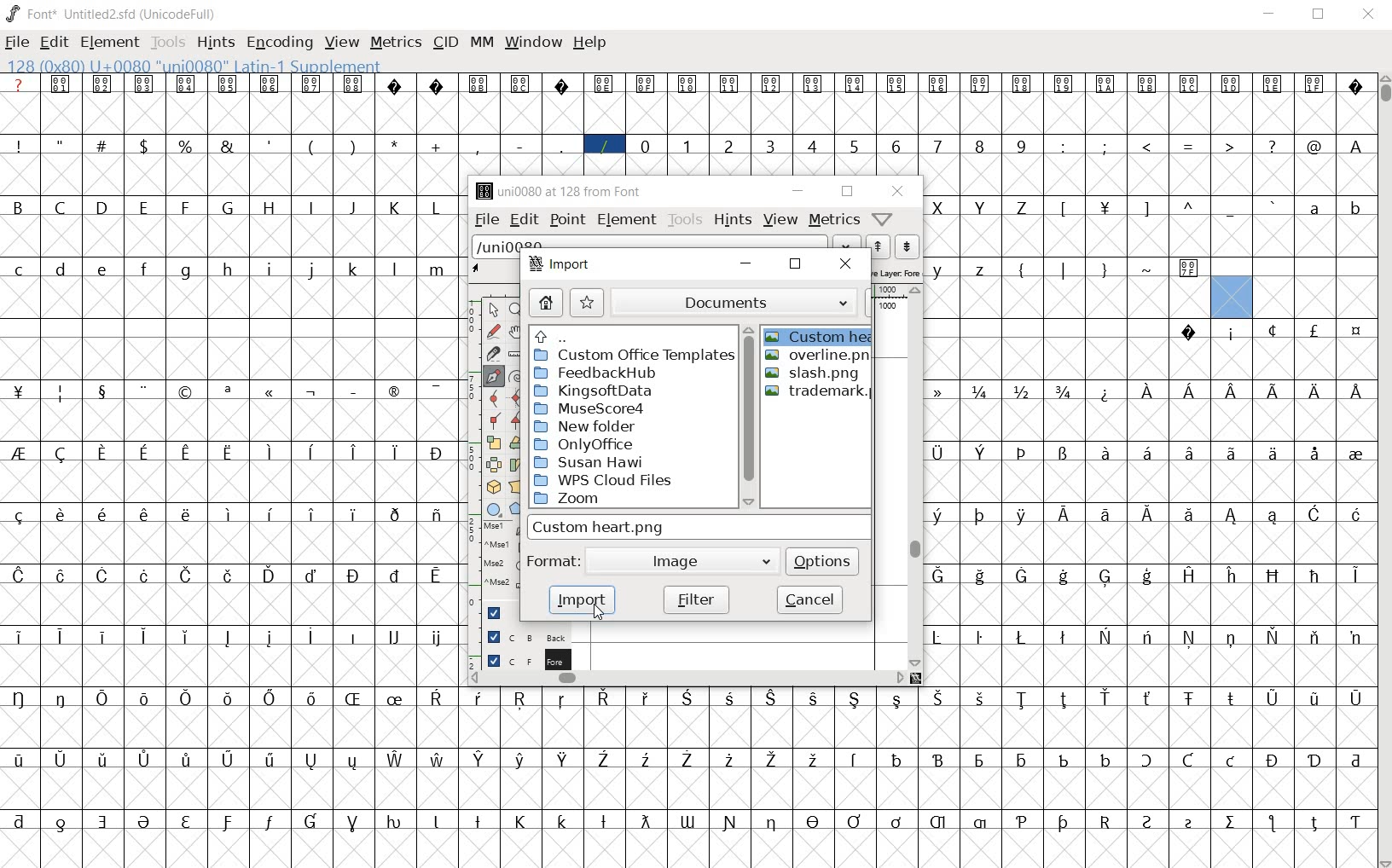 This screenshot has height=868, width=1392. I want to click on glyph, so click(60, 636).